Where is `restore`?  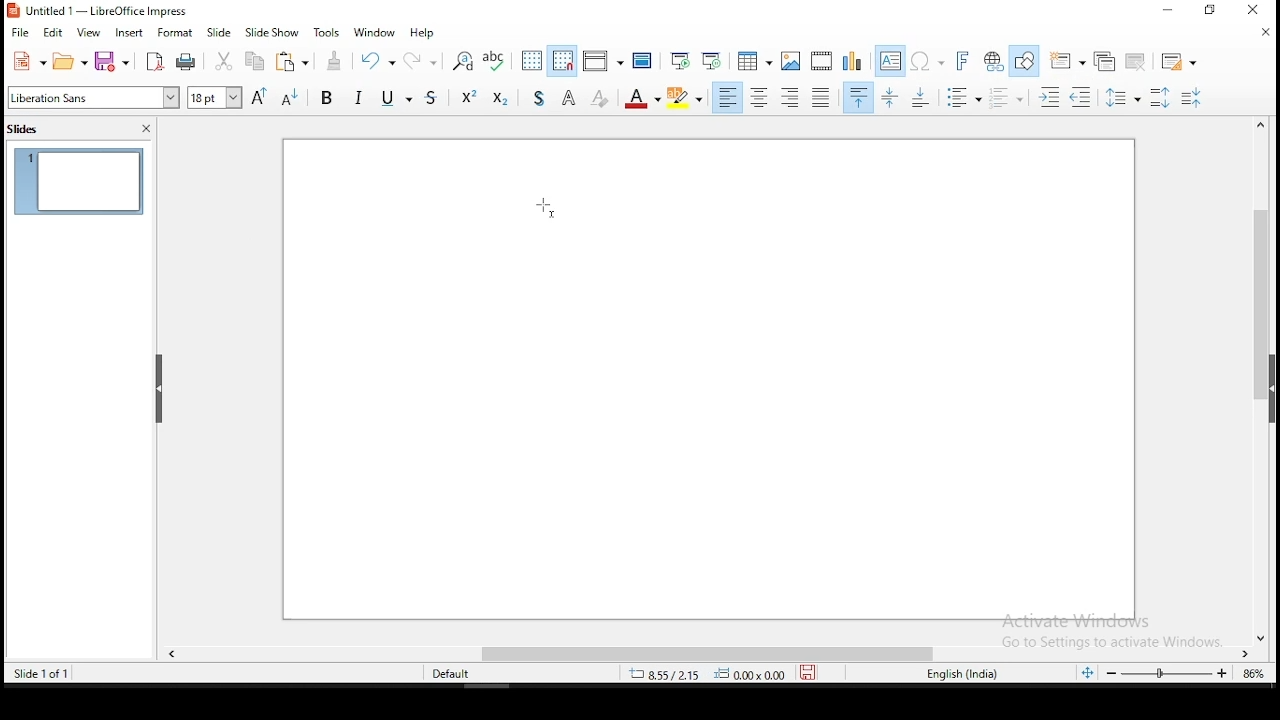 restore is located at coordinates (1210, 11).